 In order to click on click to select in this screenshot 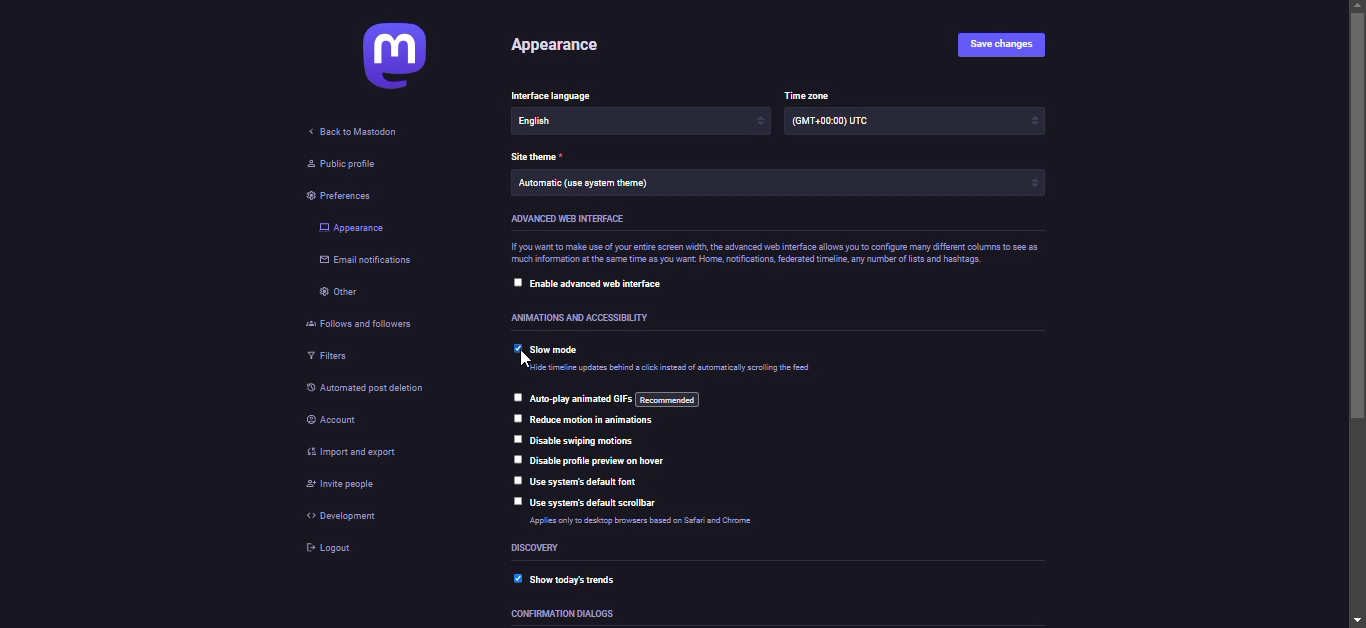, I will do `click(518, 478)`.